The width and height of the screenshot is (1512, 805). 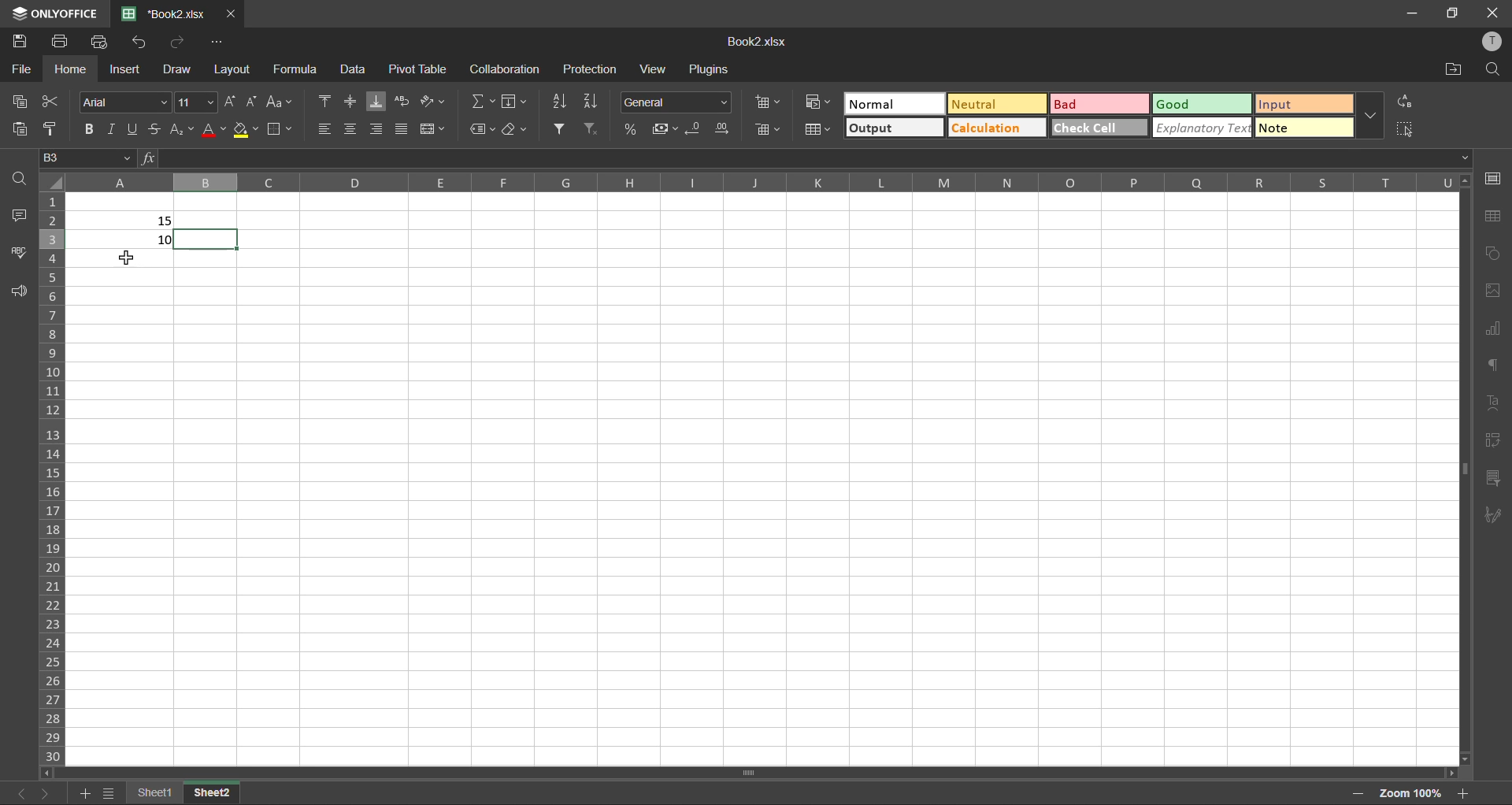 I want to click on number format, so click(x=681, y=102).